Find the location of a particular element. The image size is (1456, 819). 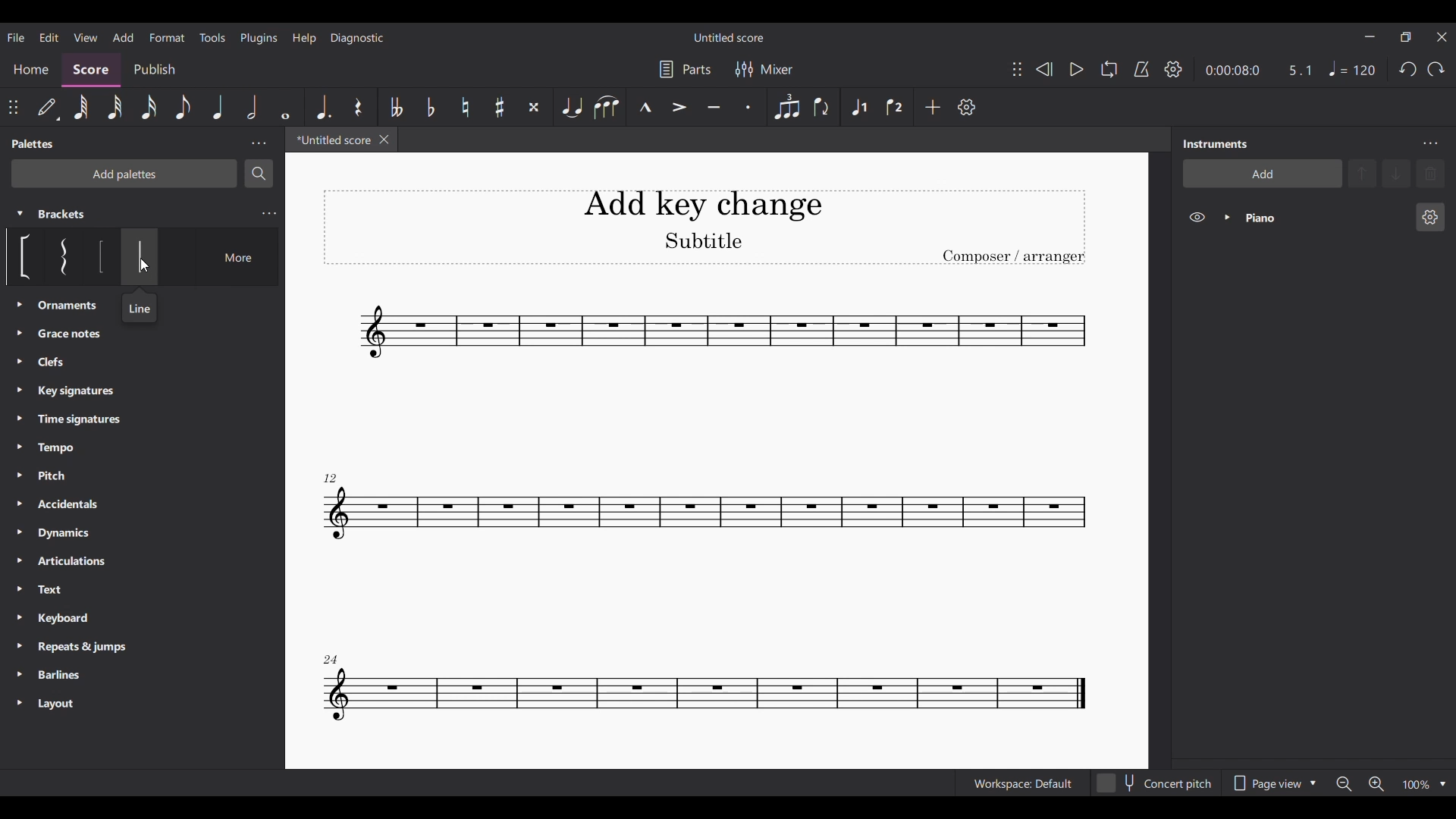

Name of file is located at coordinates (730, 37).